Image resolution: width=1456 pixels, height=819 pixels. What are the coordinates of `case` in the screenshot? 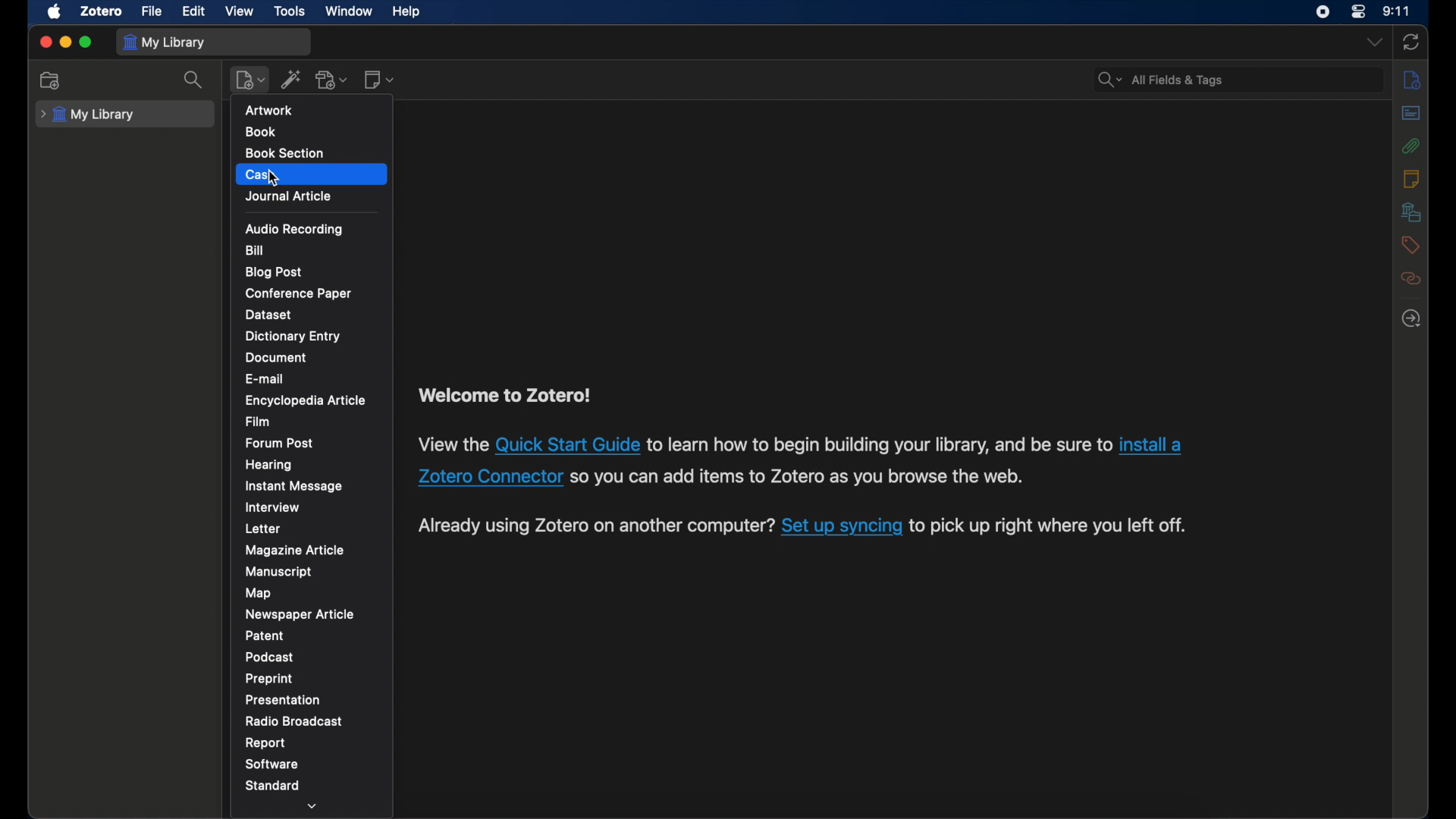 It's located at (260, 174).